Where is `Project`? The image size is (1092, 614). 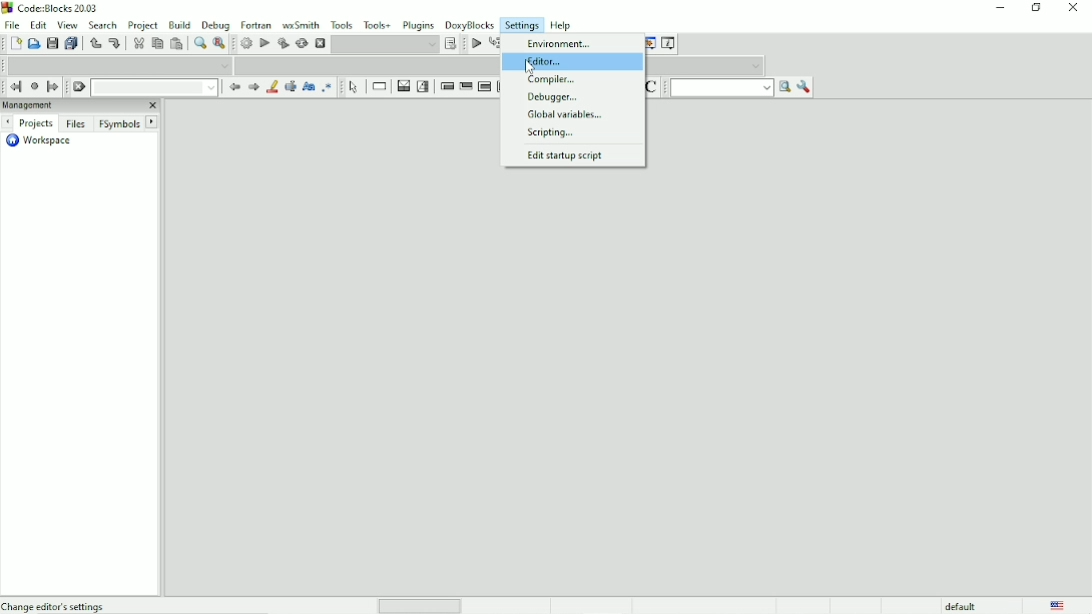 Project is located at coordinates (142, 24).